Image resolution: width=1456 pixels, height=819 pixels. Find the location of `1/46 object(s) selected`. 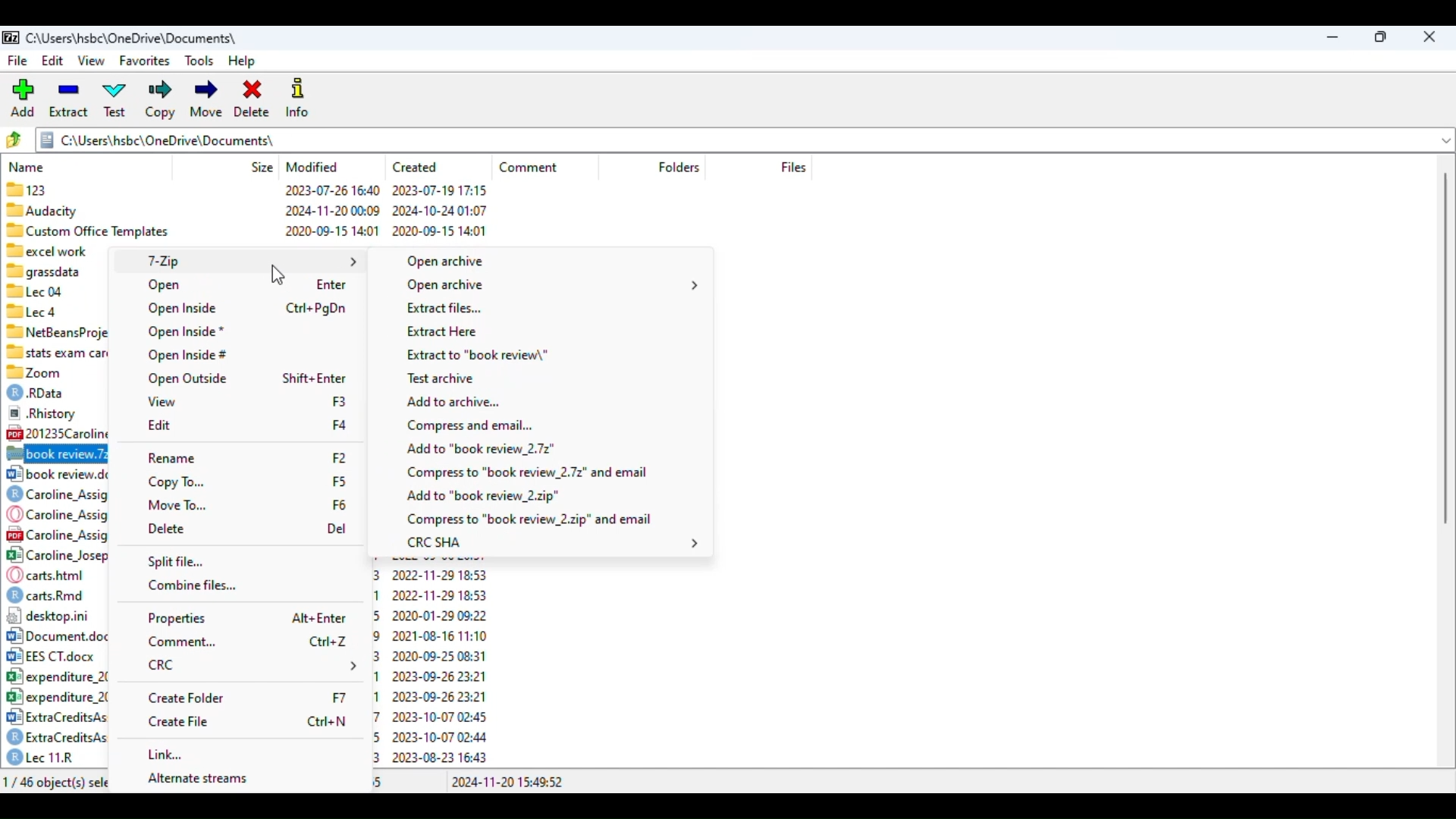

1/46 object(s) selected is located at coordinates (55, 781).